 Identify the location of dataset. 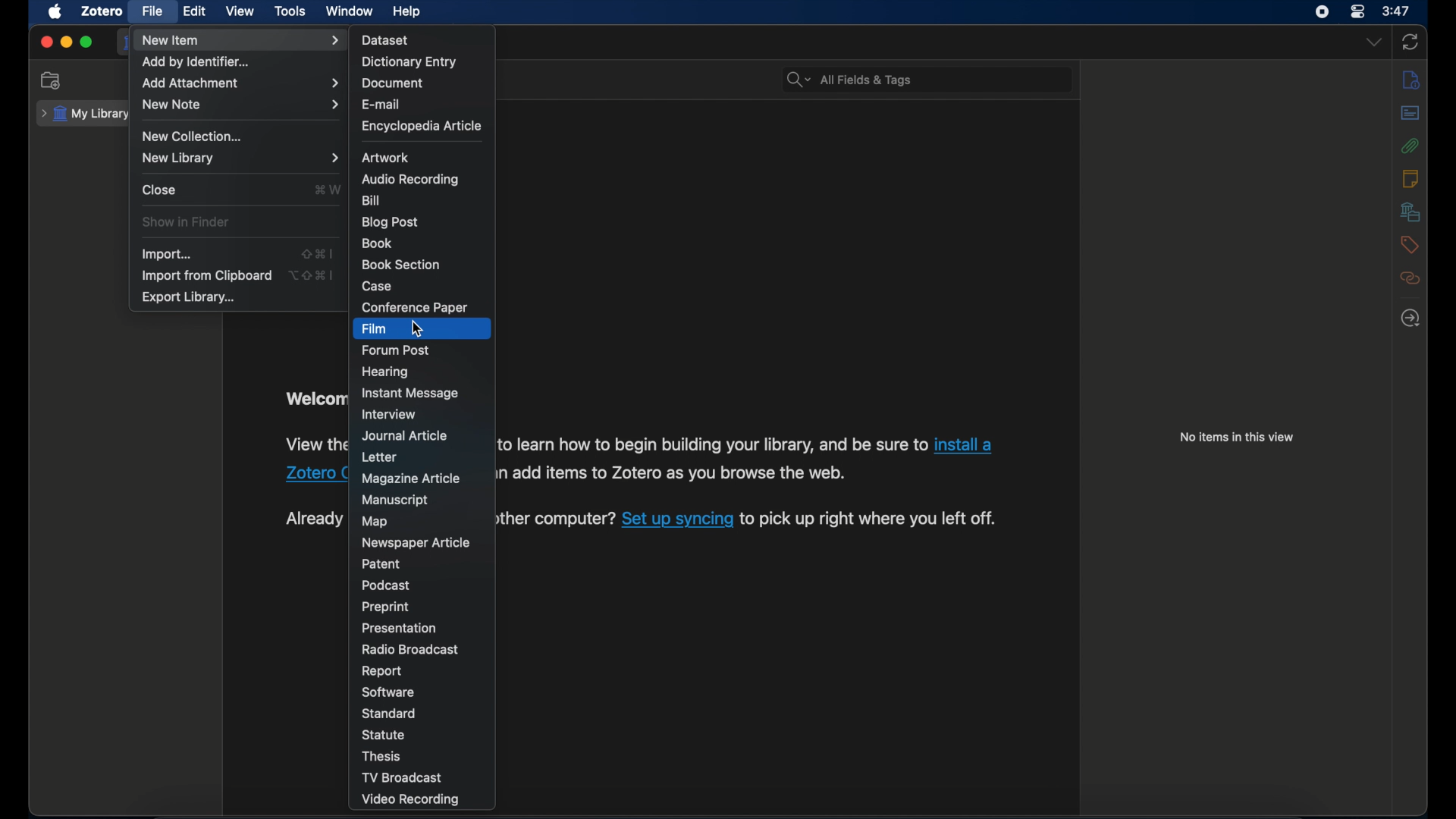
(386, 39).